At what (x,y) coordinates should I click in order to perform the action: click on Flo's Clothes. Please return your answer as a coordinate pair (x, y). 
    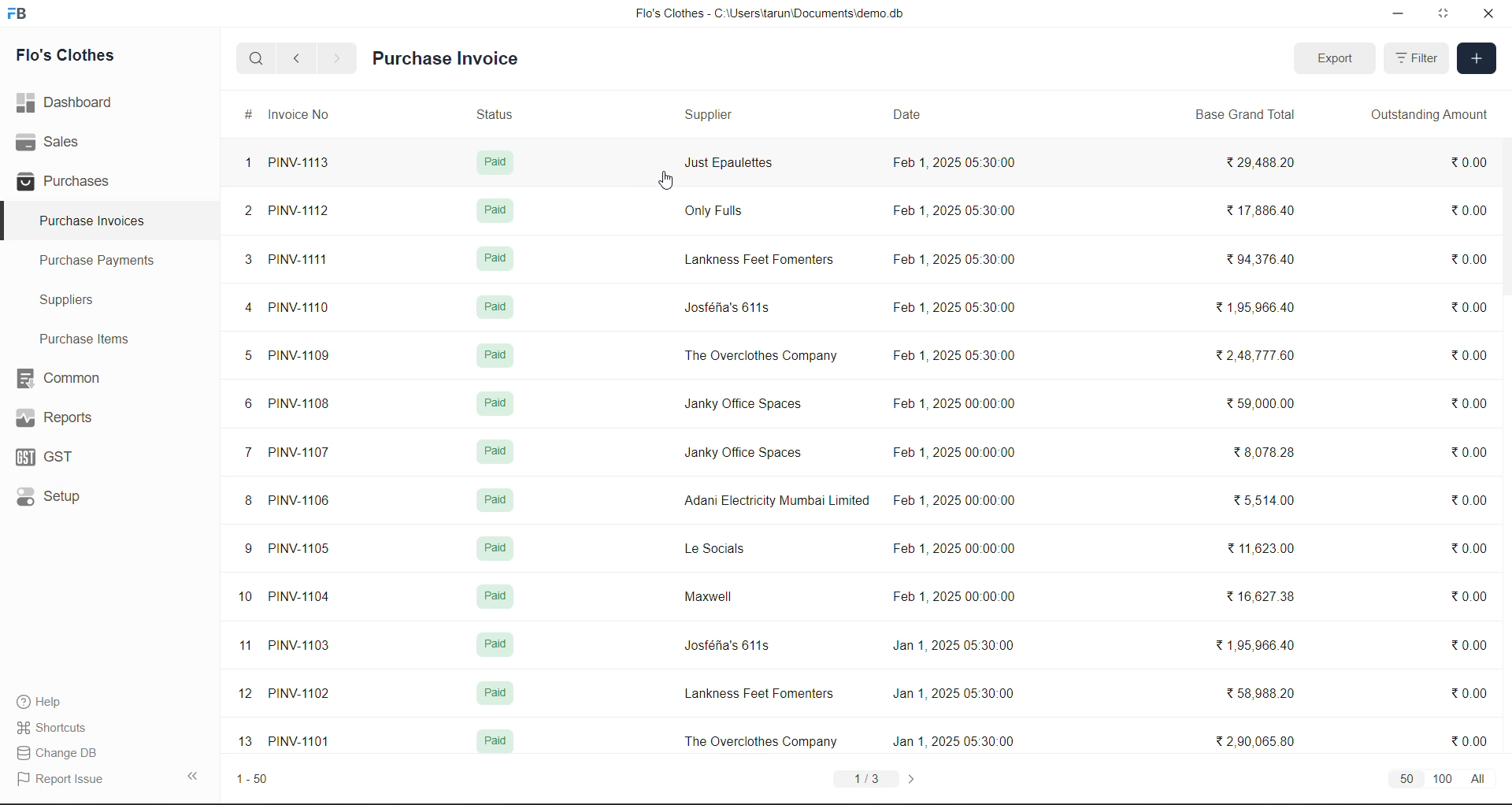
    Looking at the image, I should click on (76, 57).